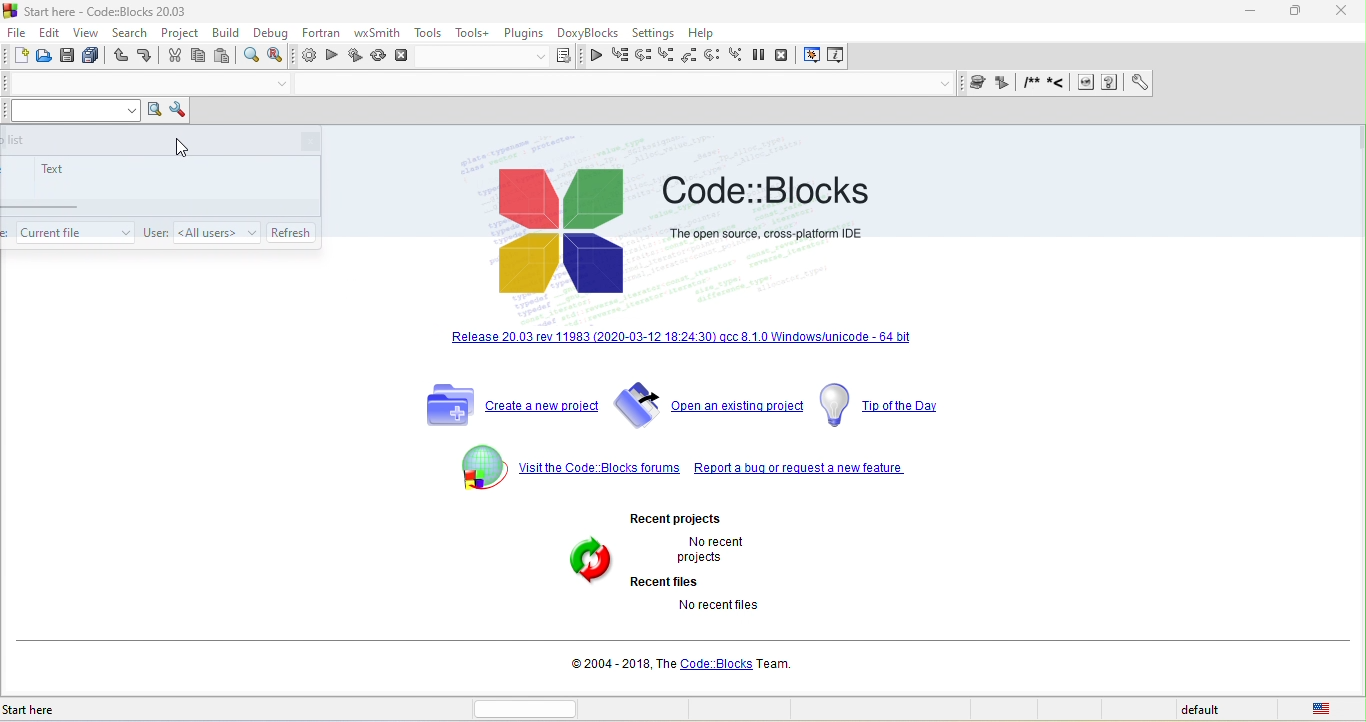 This screenshot has height=722, width=1366. Describe the element at coordinates (281, 85) in the screenshot. I see `drop down` at that location.